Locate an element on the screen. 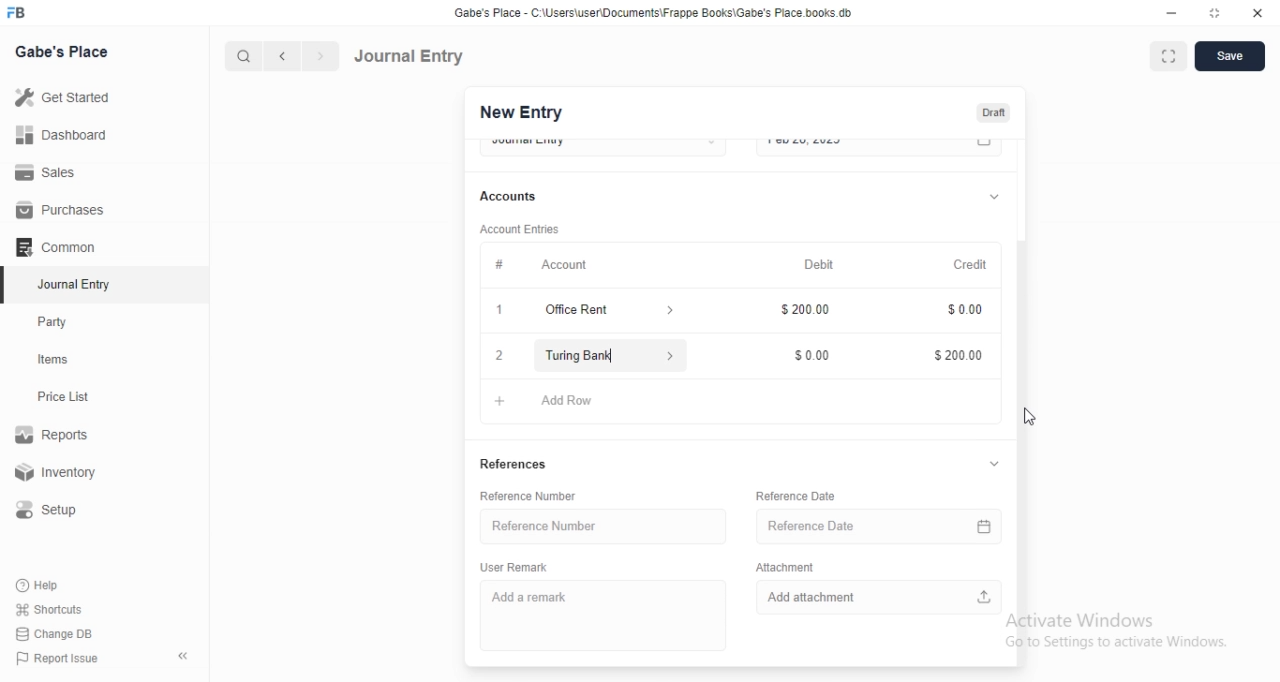 The height and width of the screenshot is (682, 1280).  is located at coordinates (500, 264).